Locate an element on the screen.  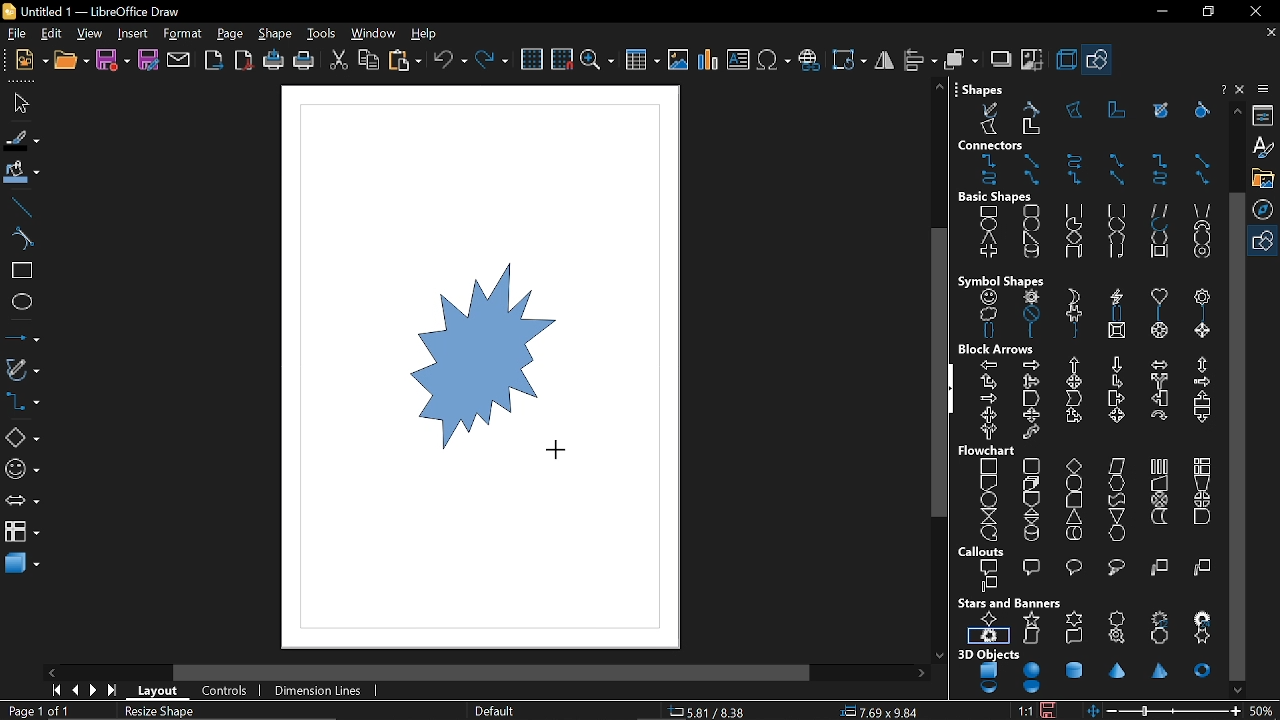
location is located at coordinates (882, 712).